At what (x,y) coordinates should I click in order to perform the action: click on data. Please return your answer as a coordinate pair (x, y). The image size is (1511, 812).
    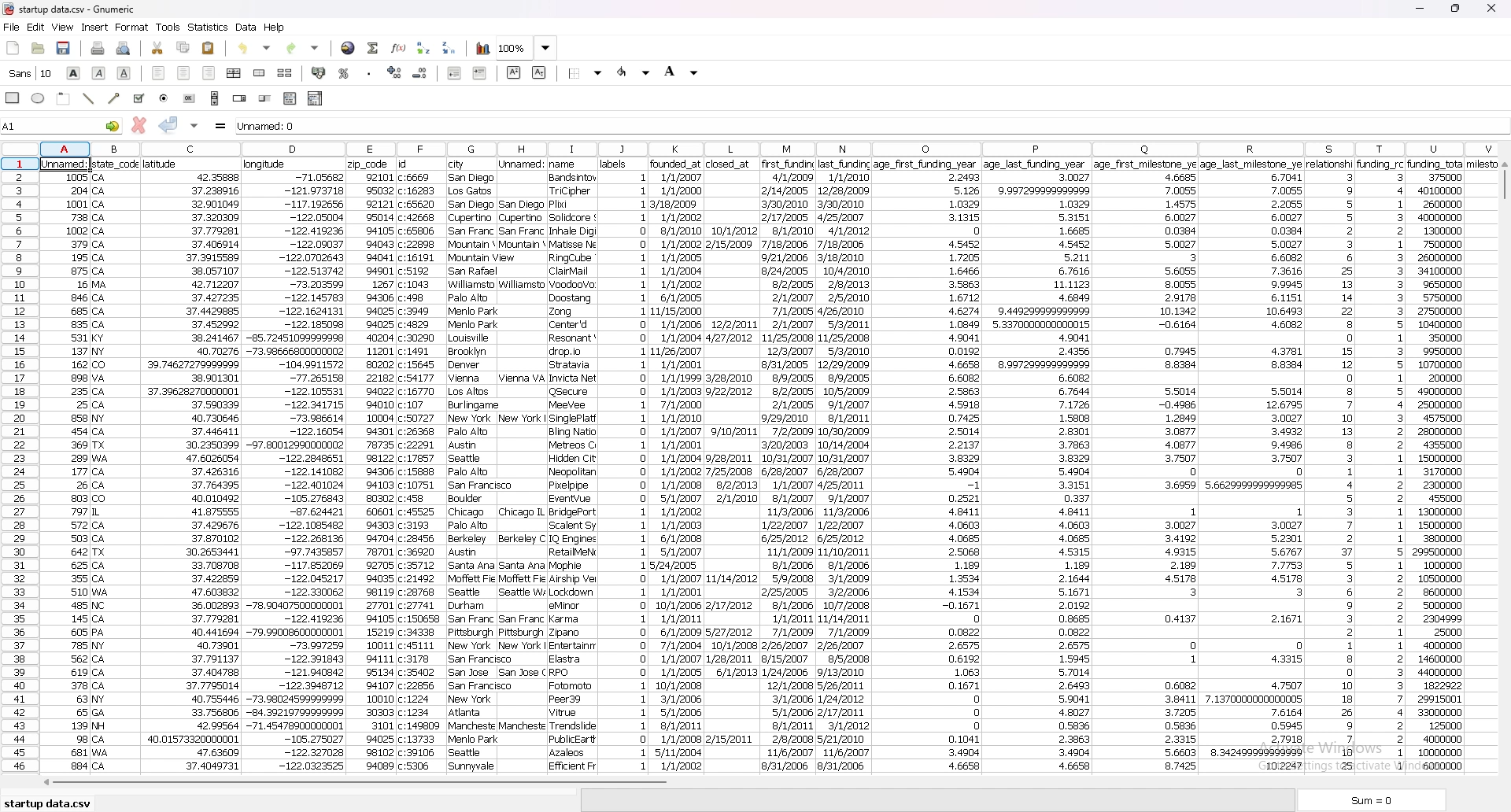
    Looking at the image, I should click on (419, 463).